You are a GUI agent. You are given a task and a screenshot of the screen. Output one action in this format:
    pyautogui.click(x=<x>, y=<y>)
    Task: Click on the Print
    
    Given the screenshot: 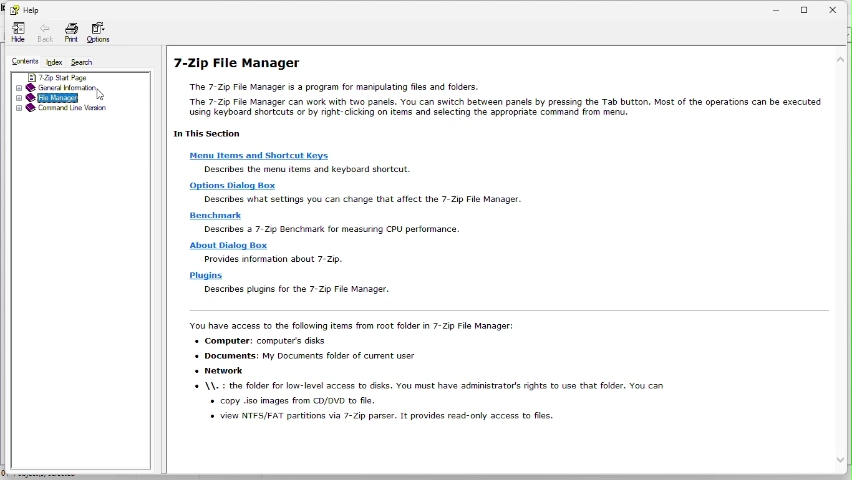 What is the action you would take?
    pyautogui.click(x=69, y=34)
    